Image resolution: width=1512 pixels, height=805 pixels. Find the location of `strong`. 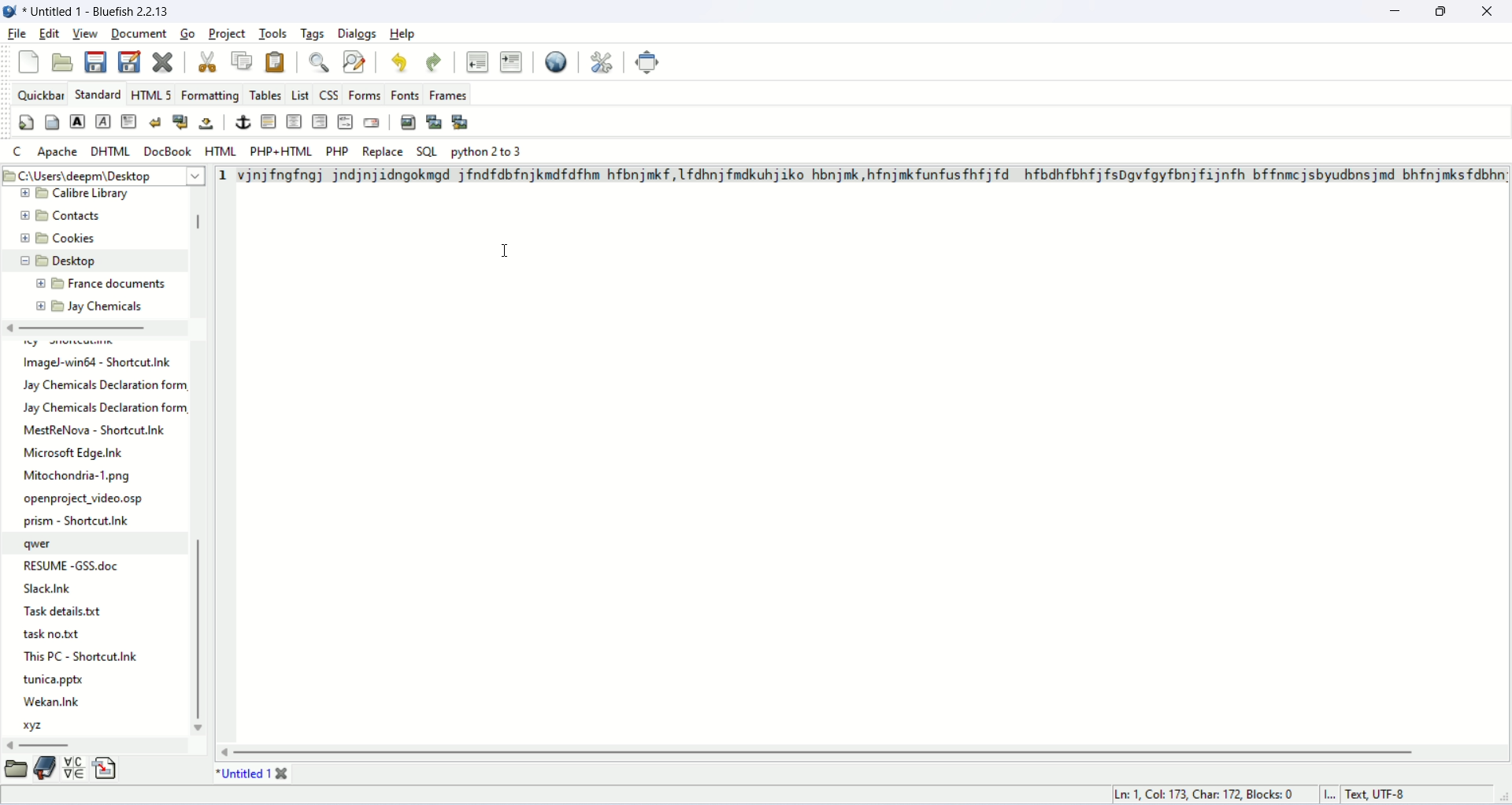

strong is located at coordinates (78, 121).